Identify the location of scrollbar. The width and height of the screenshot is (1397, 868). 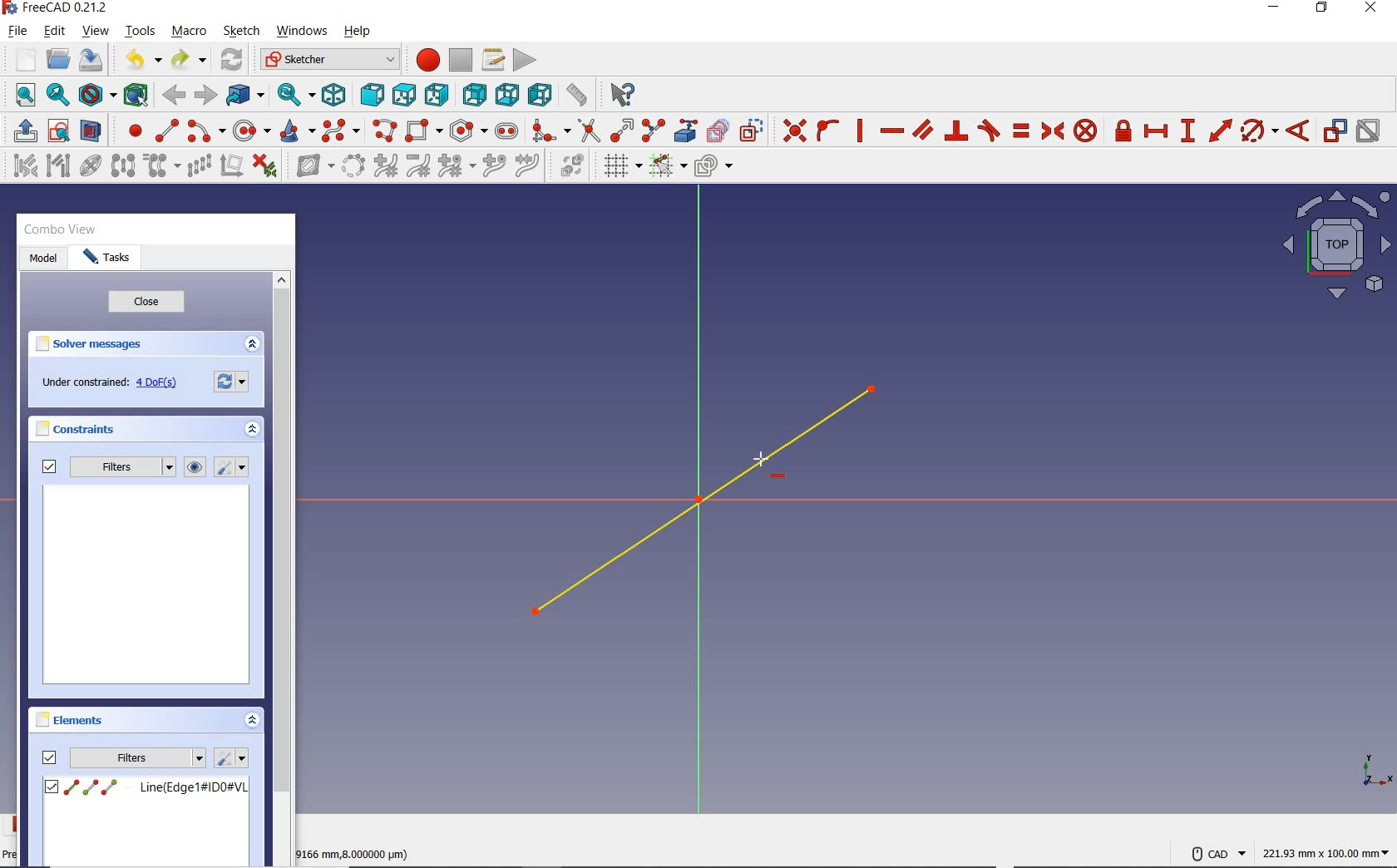
(282, 534).